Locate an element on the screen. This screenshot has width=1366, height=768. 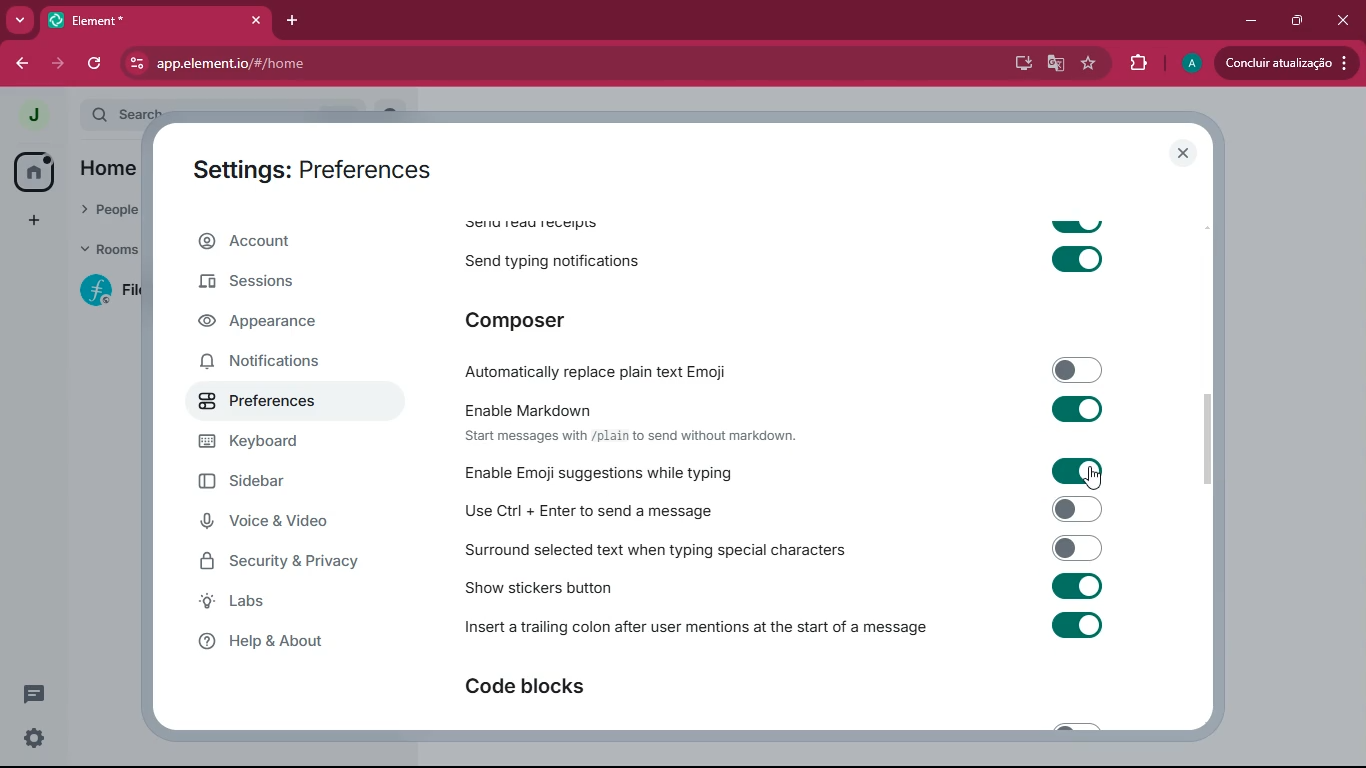
close is located at coordinates (1342, 17).